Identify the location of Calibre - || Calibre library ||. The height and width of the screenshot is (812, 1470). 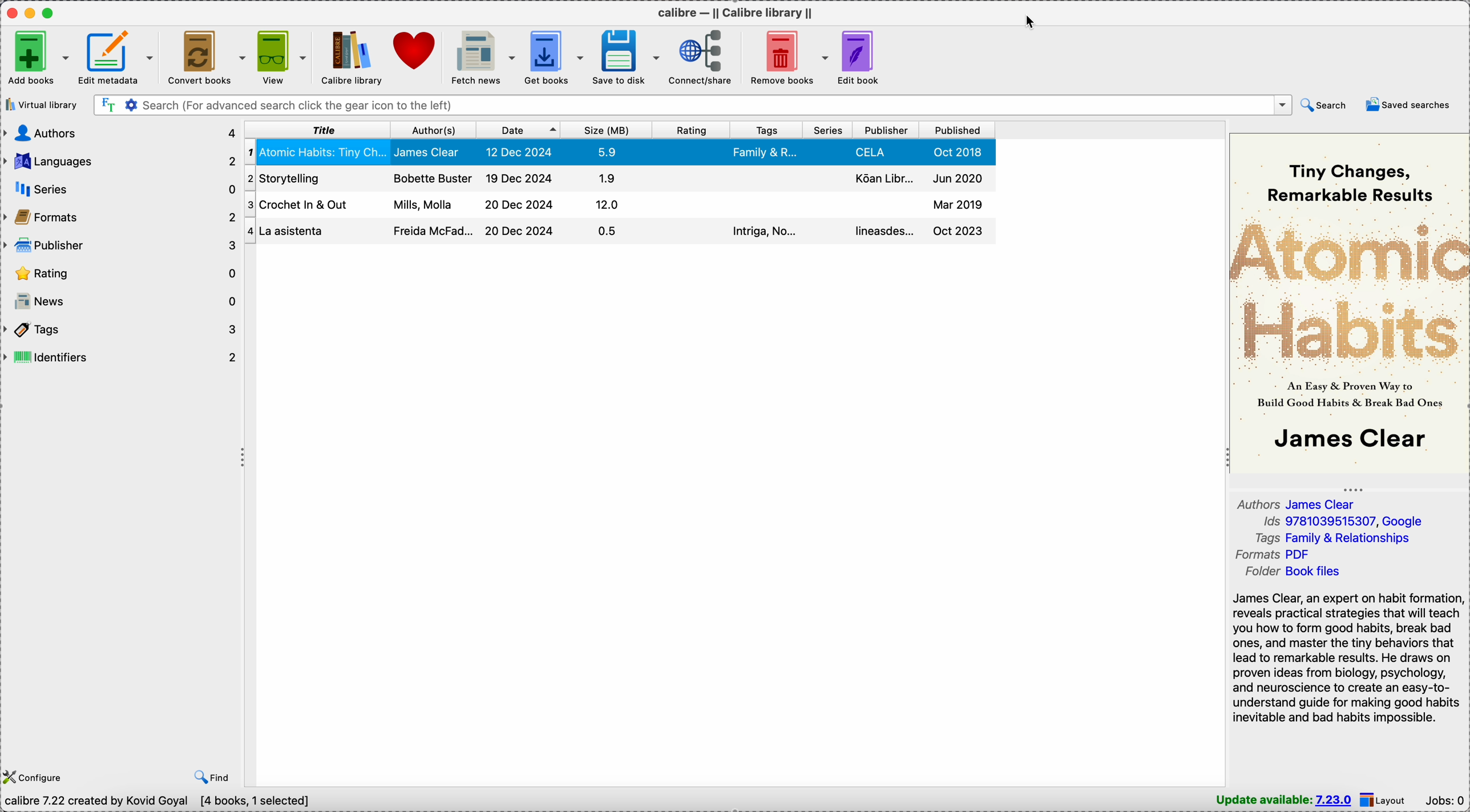
(735, 12).